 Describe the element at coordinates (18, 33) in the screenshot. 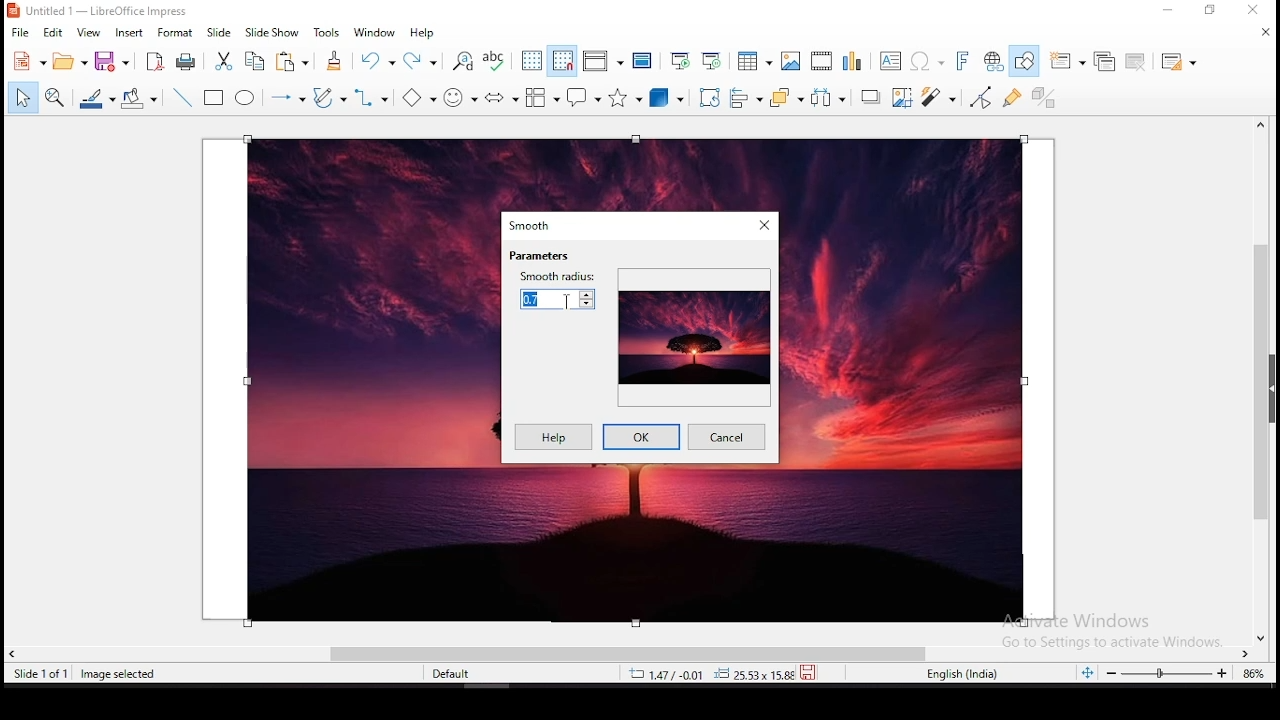

I see `file` at that location.